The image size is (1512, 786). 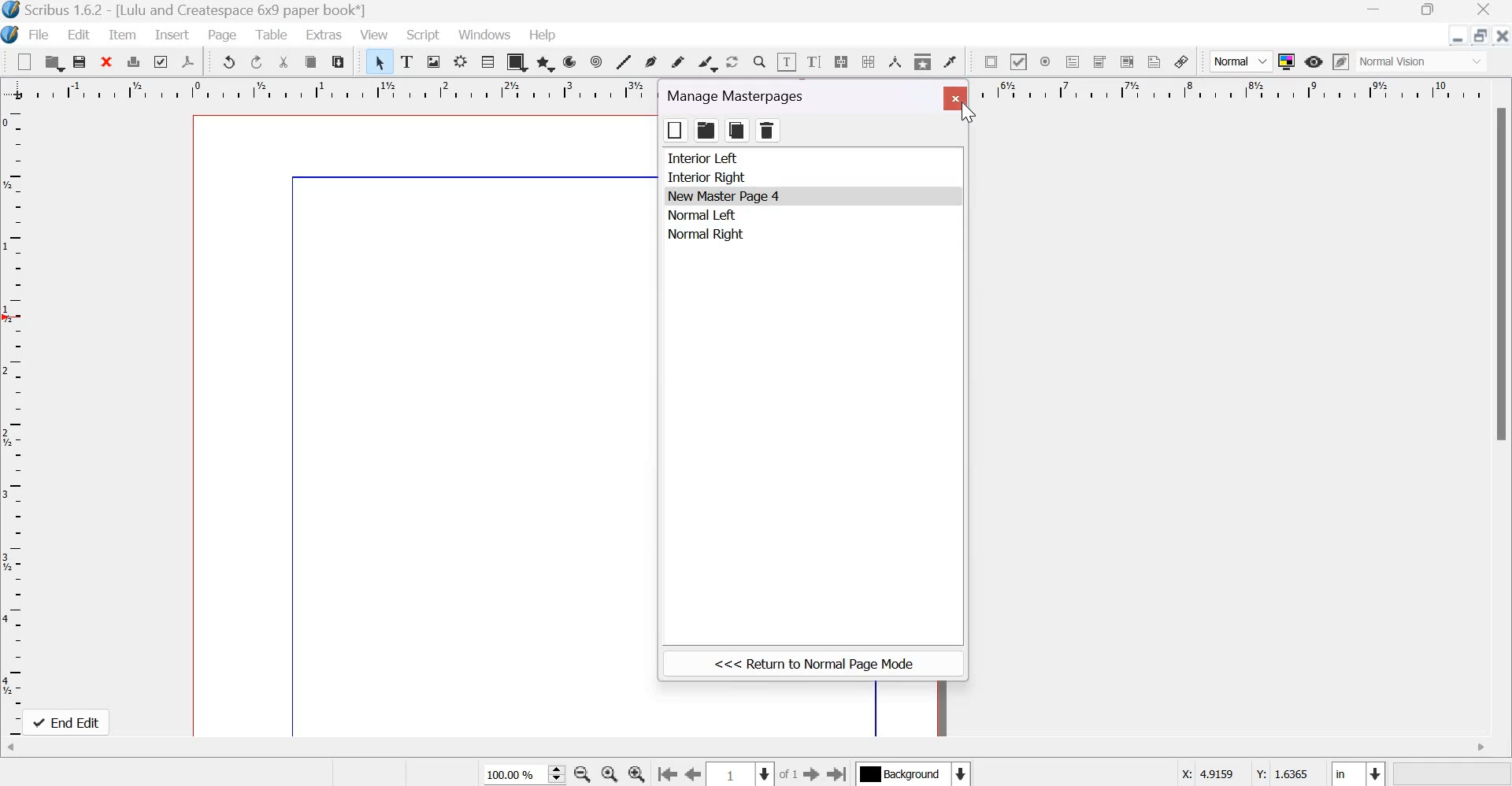 I want to click on box, so click(x=676, y=132).